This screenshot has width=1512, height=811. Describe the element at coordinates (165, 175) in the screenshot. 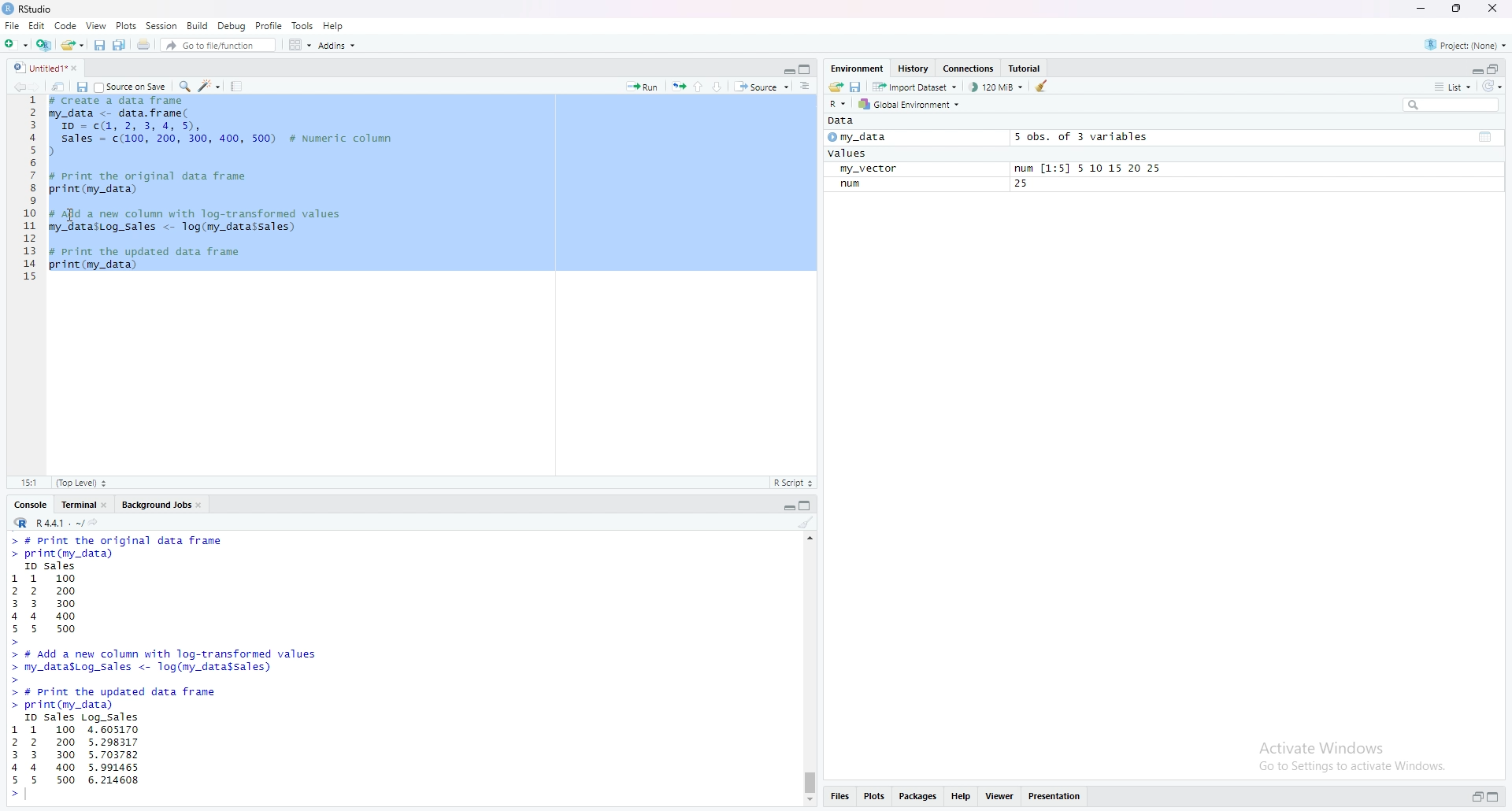

I see `# Print the original frame` at that location.